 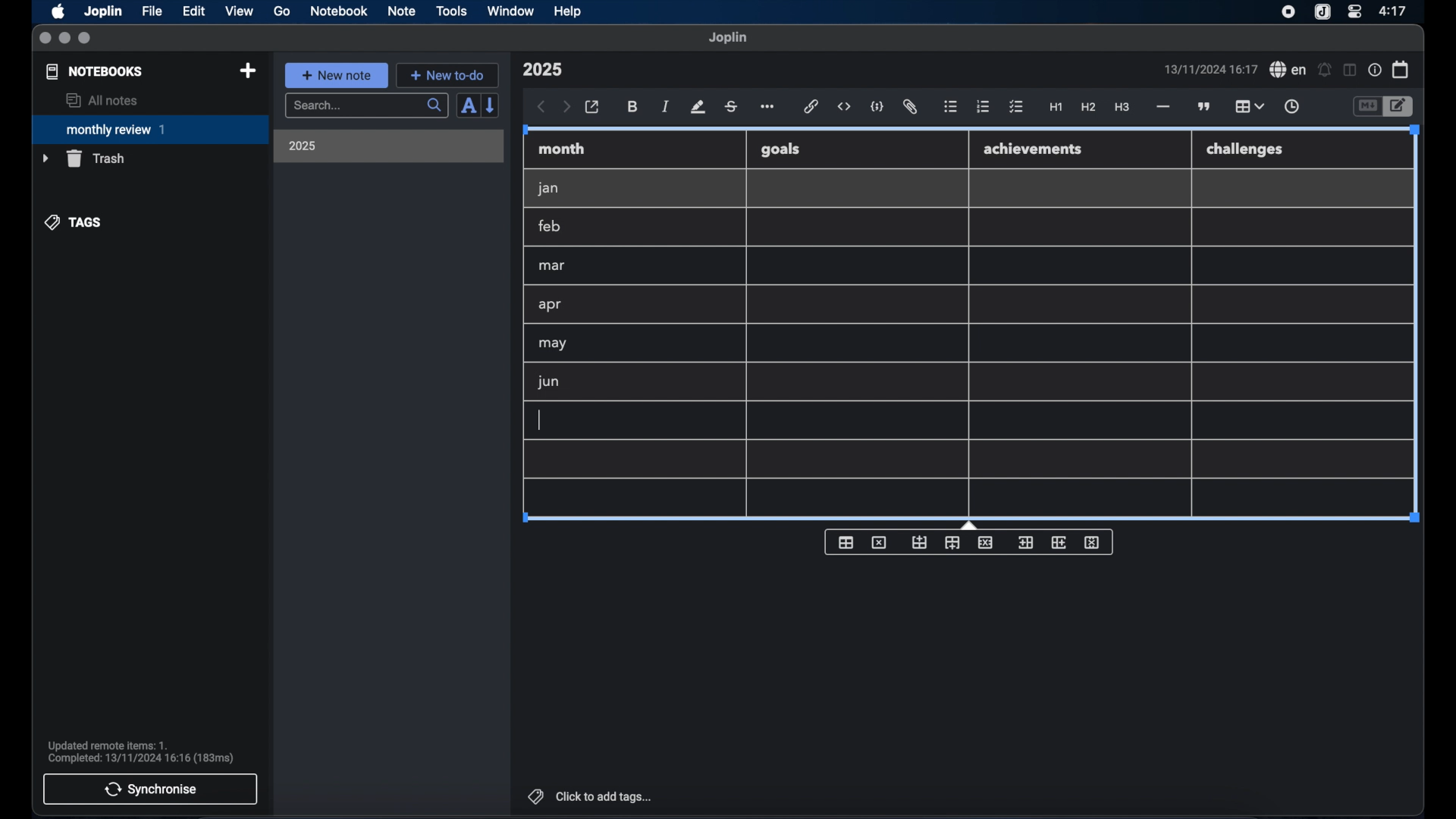 What do you see at coordinates (57, 11) in the screenshot?
I see `apple icon` at bounding box center [57, 11].